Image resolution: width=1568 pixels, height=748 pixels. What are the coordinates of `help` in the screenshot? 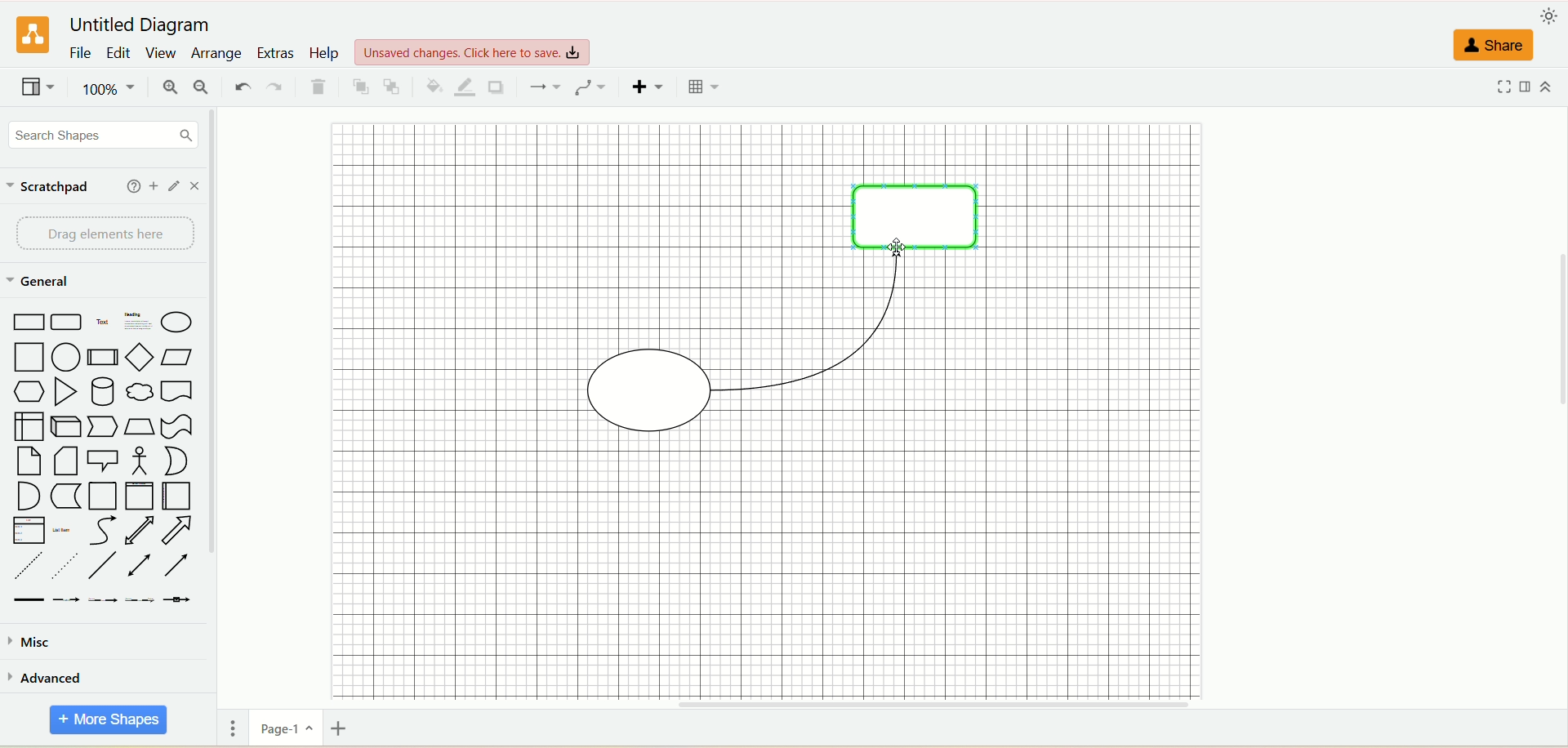 It's located at (325, 53).